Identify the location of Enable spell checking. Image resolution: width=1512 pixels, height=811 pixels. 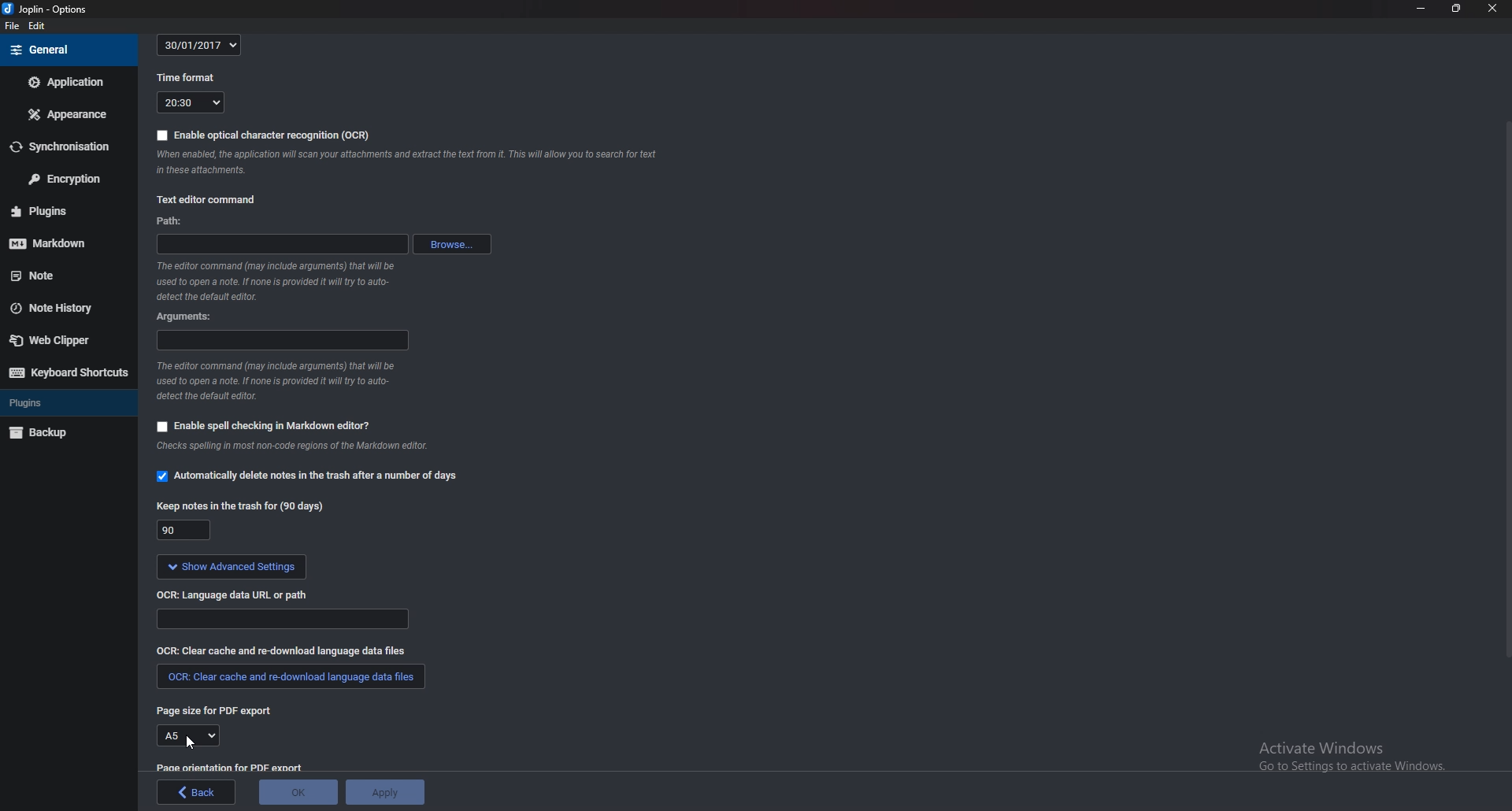
(265, 425).